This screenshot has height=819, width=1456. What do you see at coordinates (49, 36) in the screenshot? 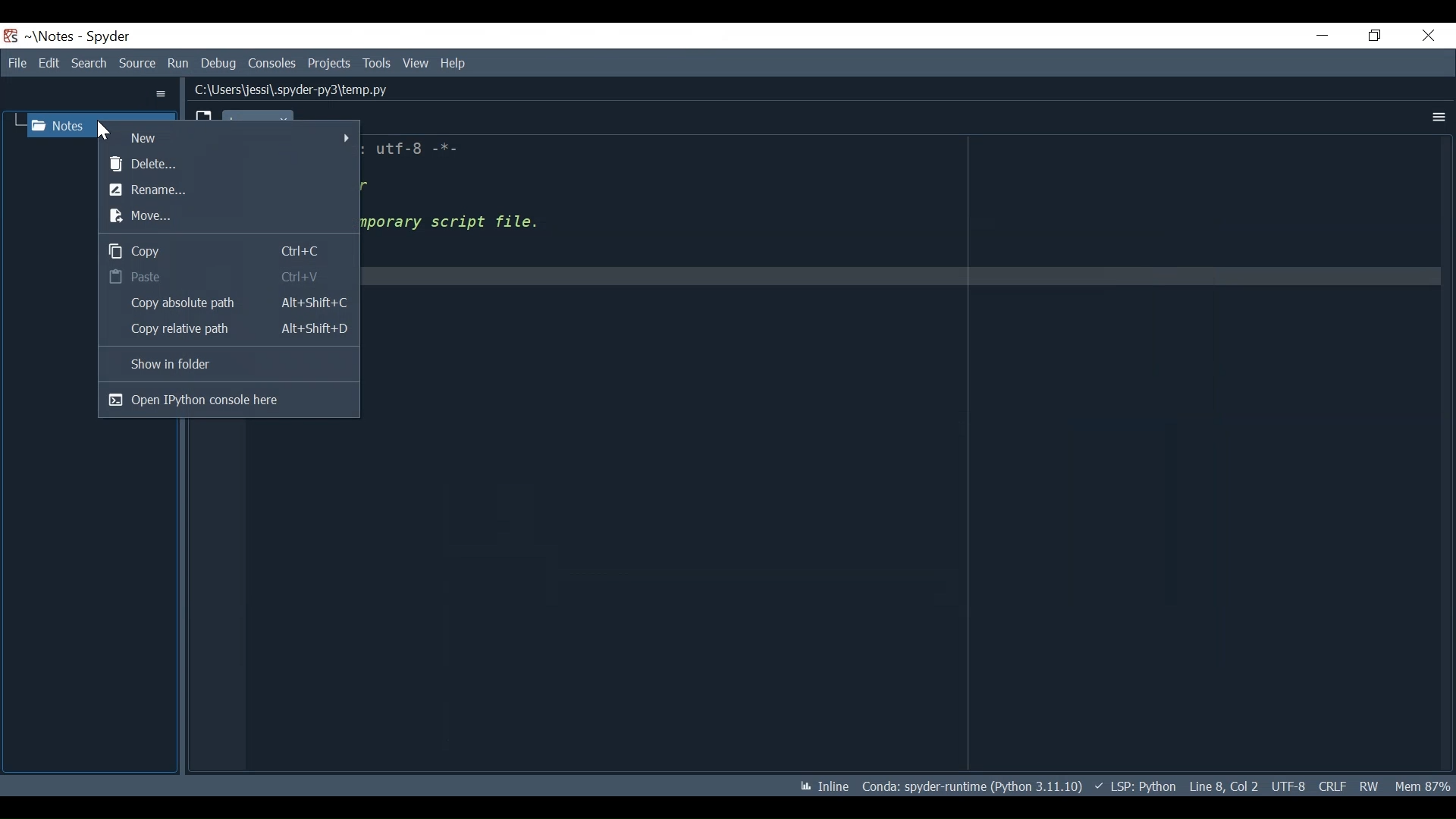
I see `Projects Name` at bounding box center [49, 36].